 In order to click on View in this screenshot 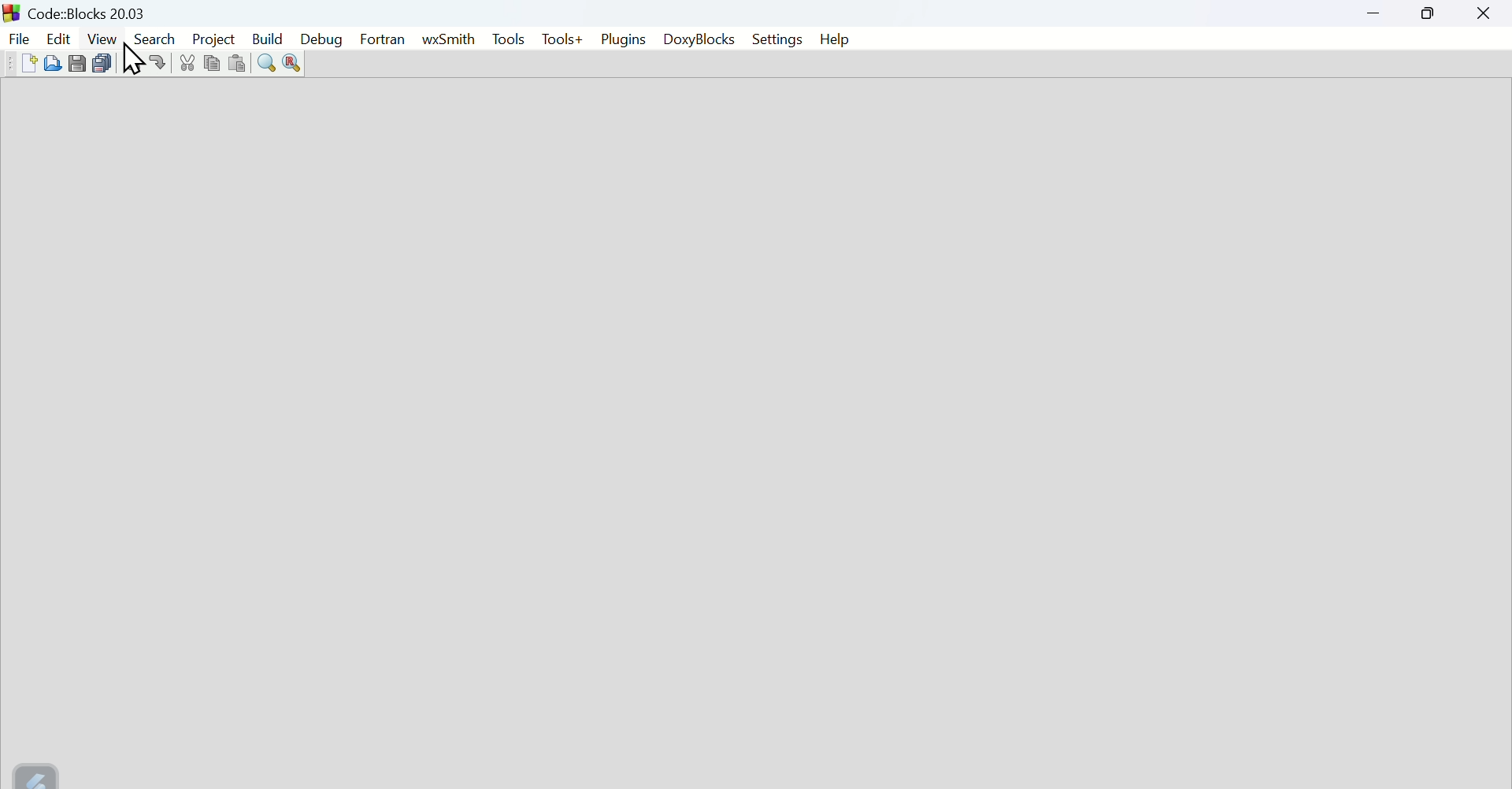, I will do `click(103, 38)`.